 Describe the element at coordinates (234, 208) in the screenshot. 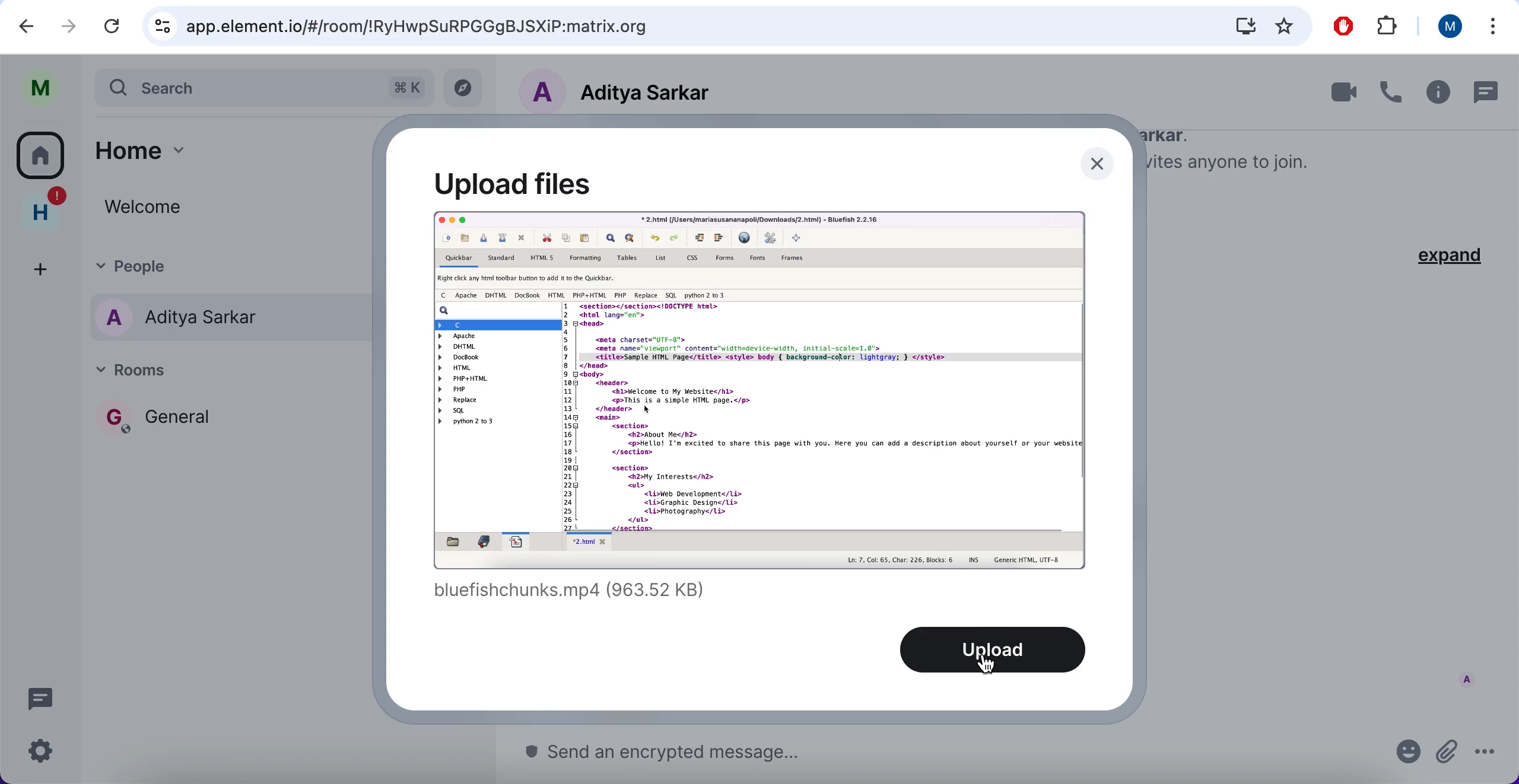

I see `welcome` at that location.